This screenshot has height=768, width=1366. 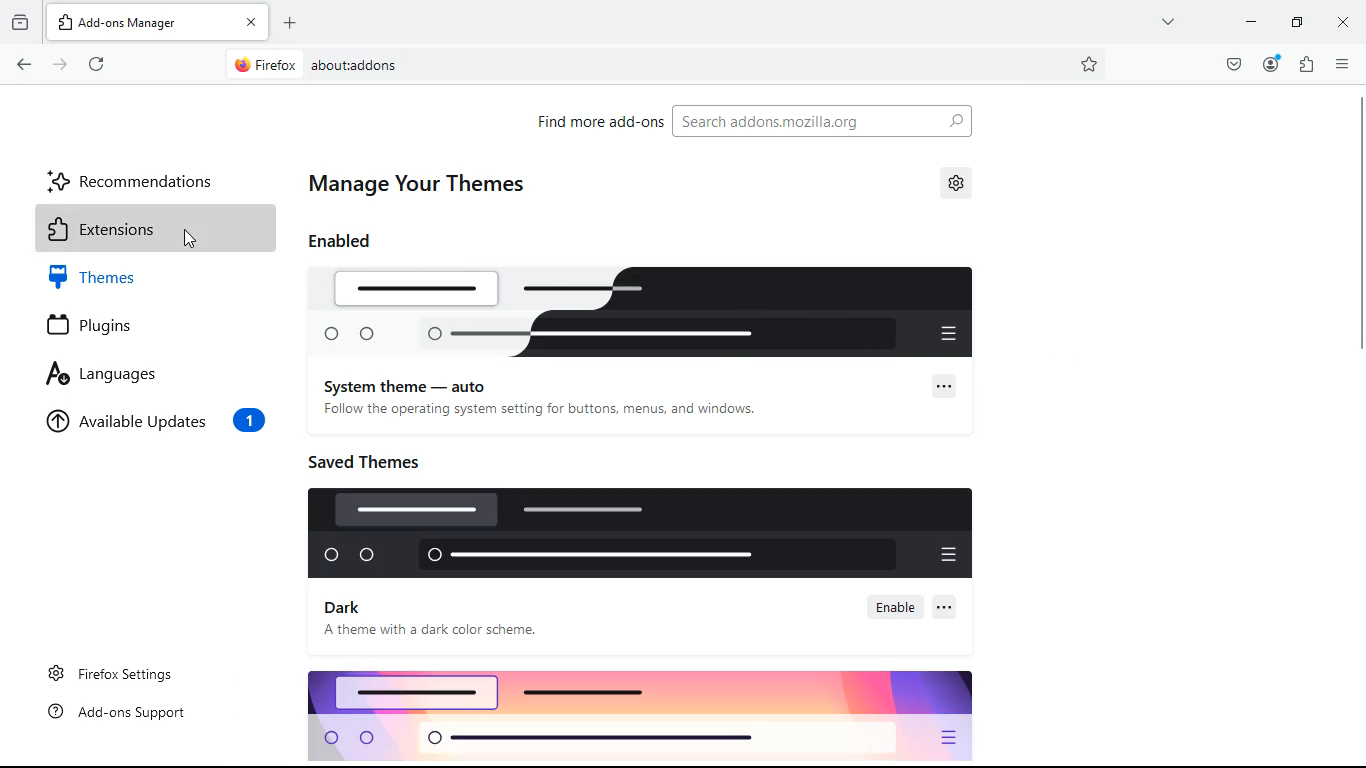 What do you see at coordinates (427, 183) in the screenshot?
I see `manage your themes` at bounding box center [427, 183].